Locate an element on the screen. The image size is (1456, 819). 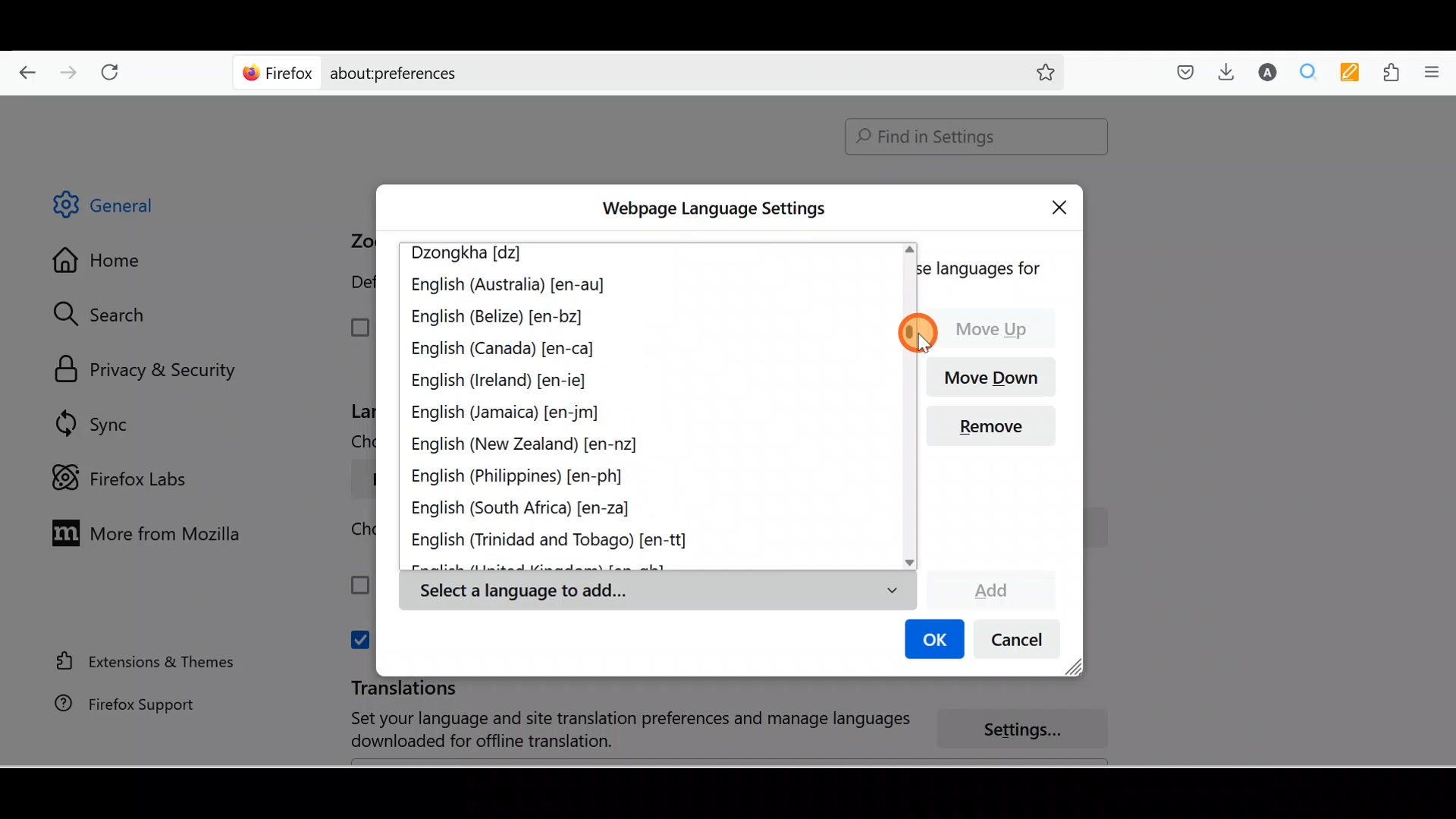
Multiple search & highlight is located at coordinates (1309, 71).